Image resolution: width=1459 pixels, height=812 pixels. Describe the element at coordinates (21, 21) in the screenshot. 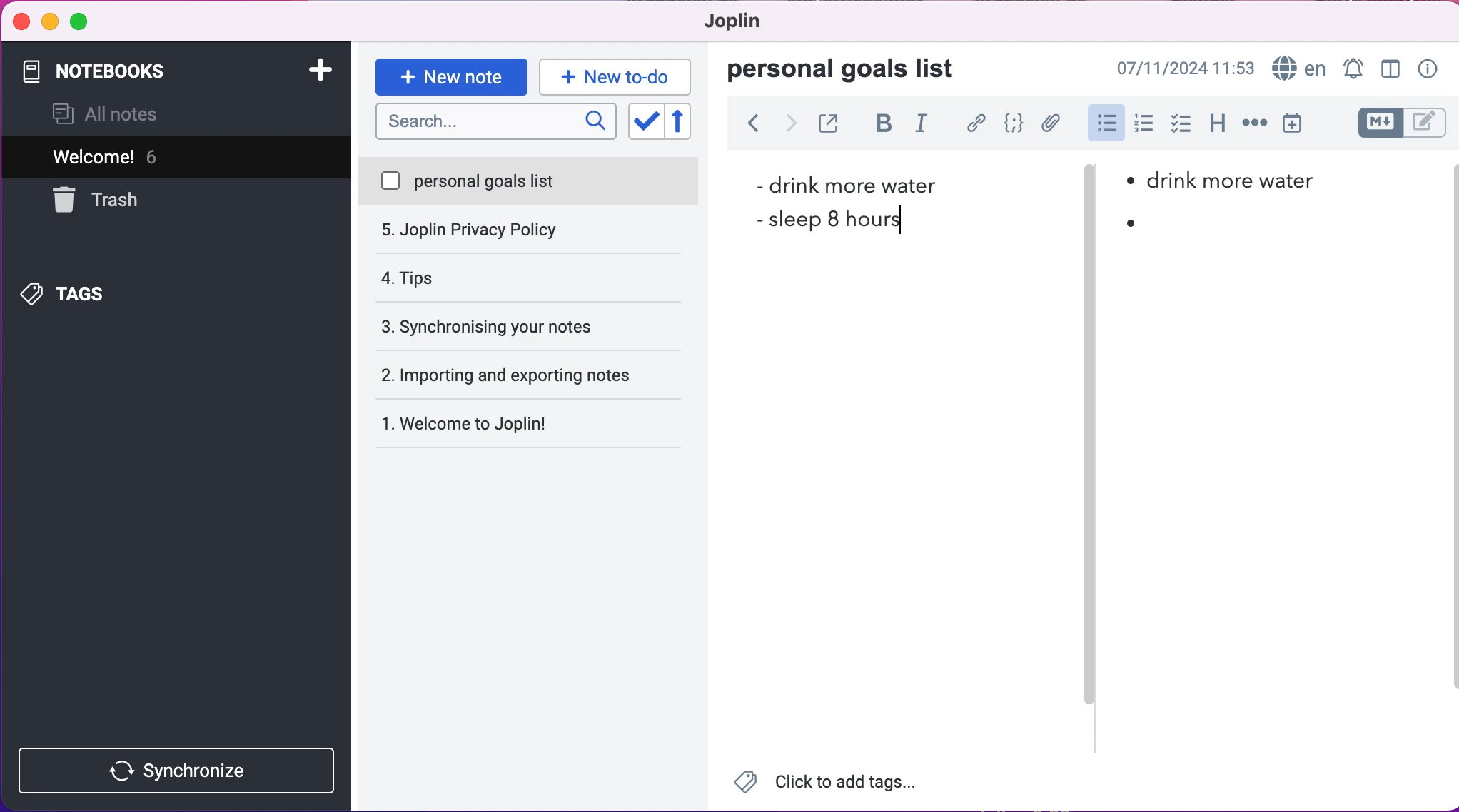

I see `close` at that location.